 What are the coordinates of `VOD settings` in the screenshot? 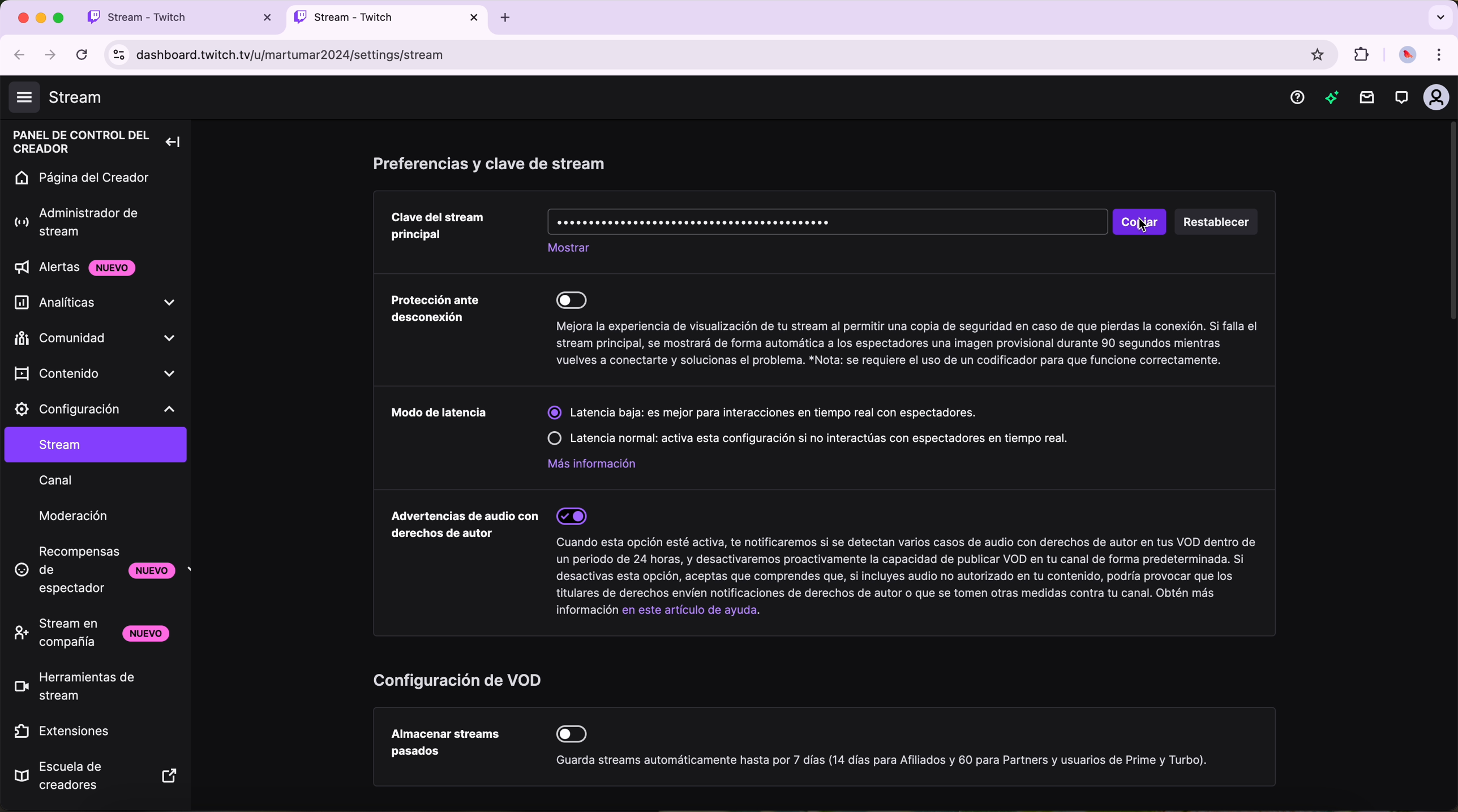 It's located at (458, 680).